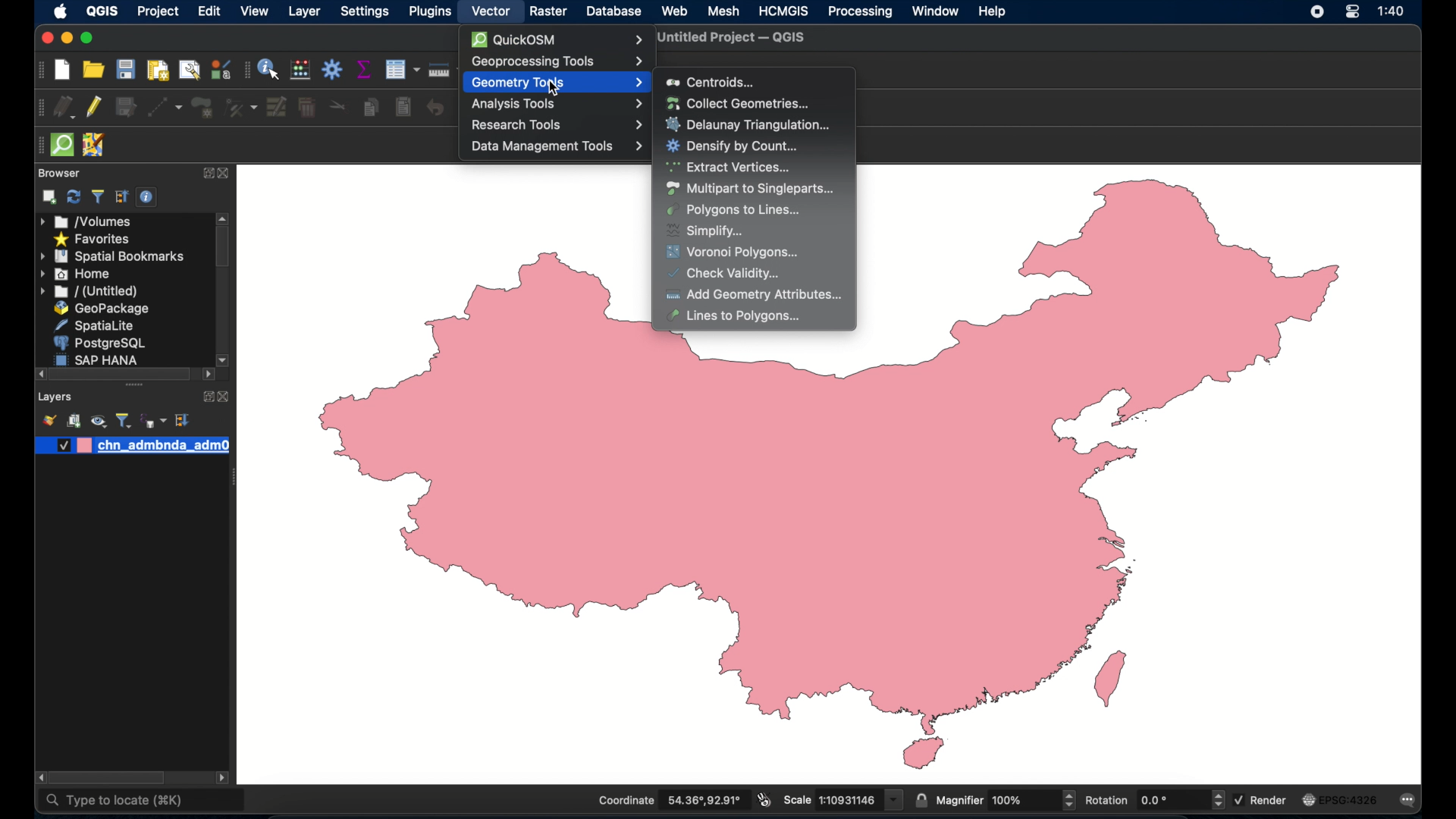  Describe the element at coordinates (733, 210) in the screenshot. I see `polygons to lines` at that location.